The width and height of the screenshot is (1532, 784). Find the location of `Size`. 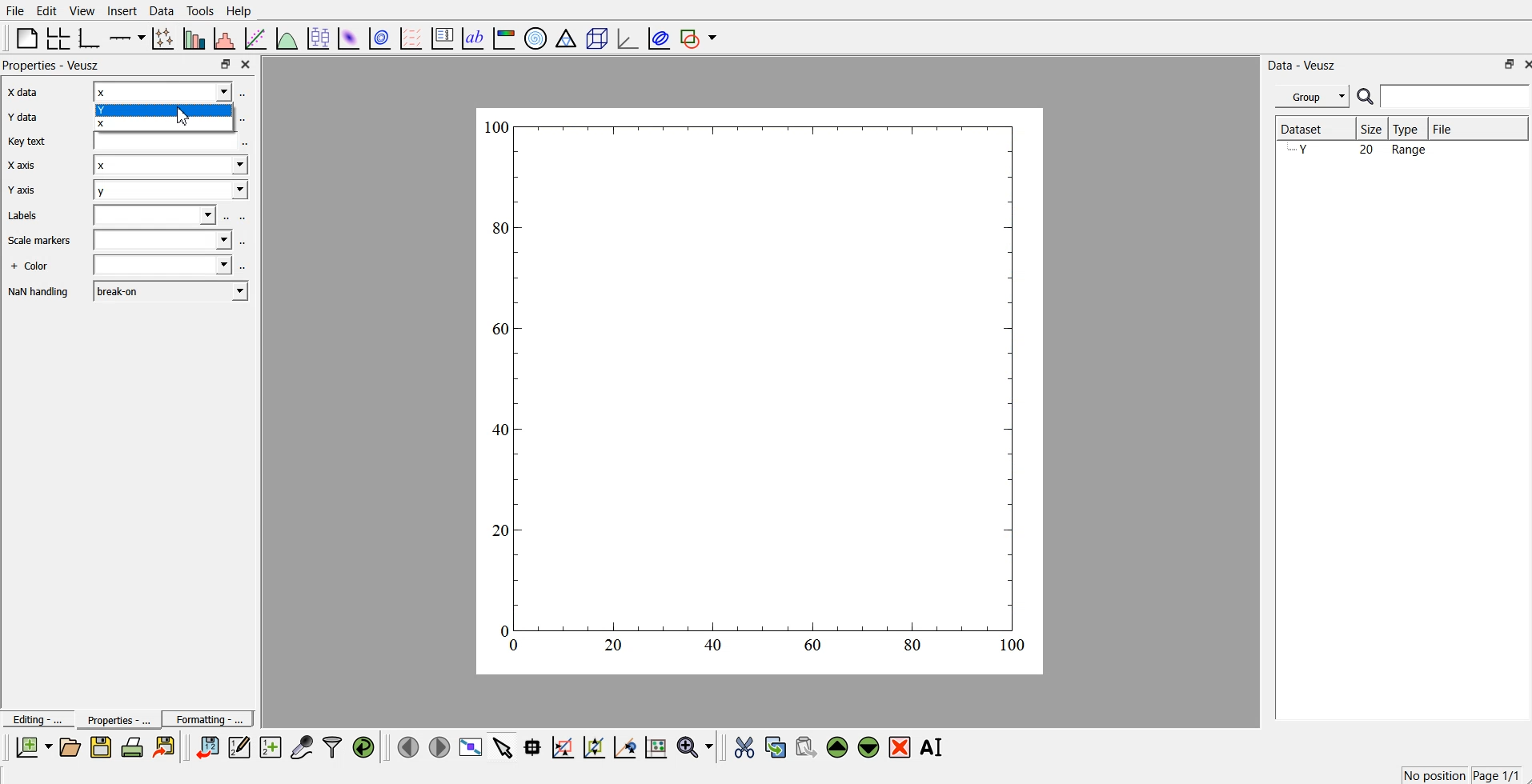

Size is located at coordinates (1373, 129).